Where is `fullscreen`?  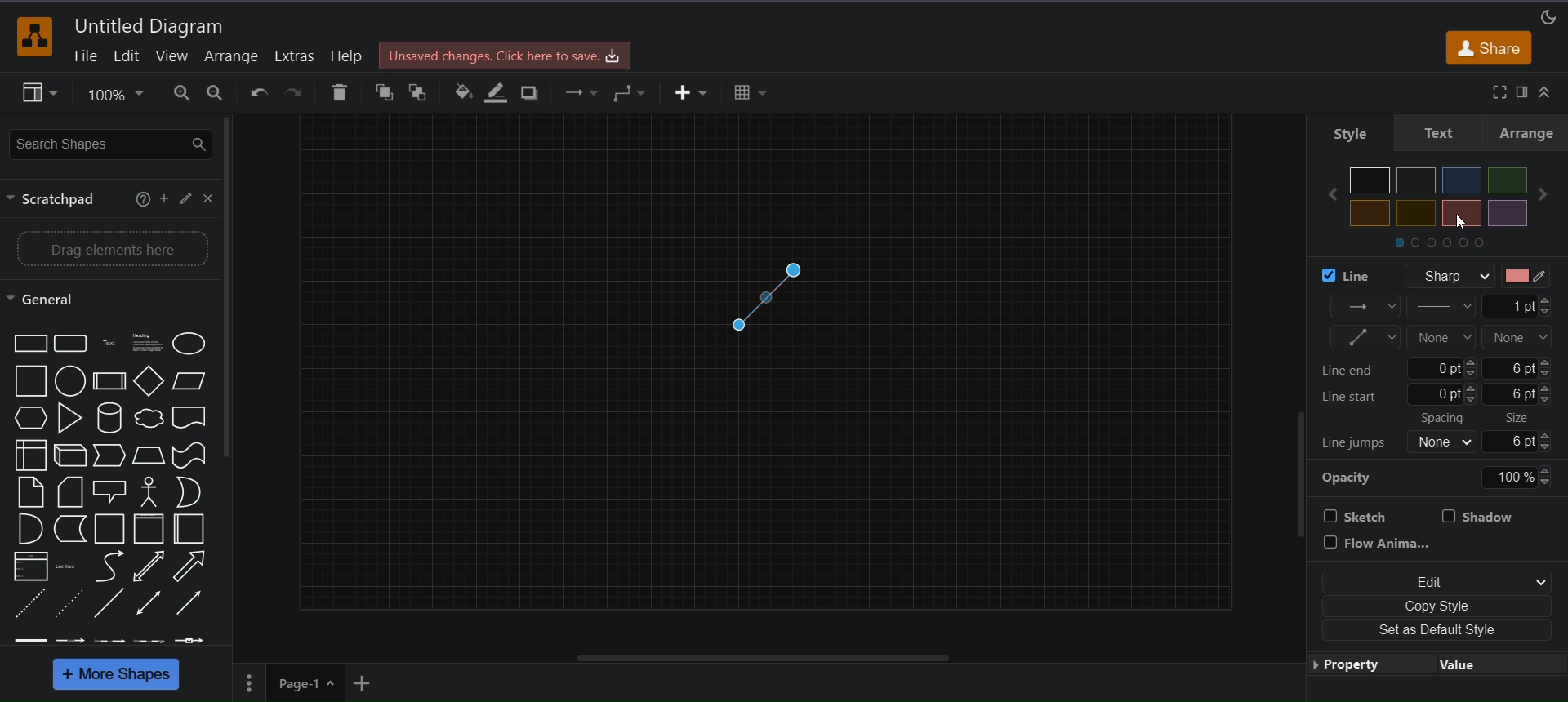 fullscreen is located at coordinates (1497, 91).